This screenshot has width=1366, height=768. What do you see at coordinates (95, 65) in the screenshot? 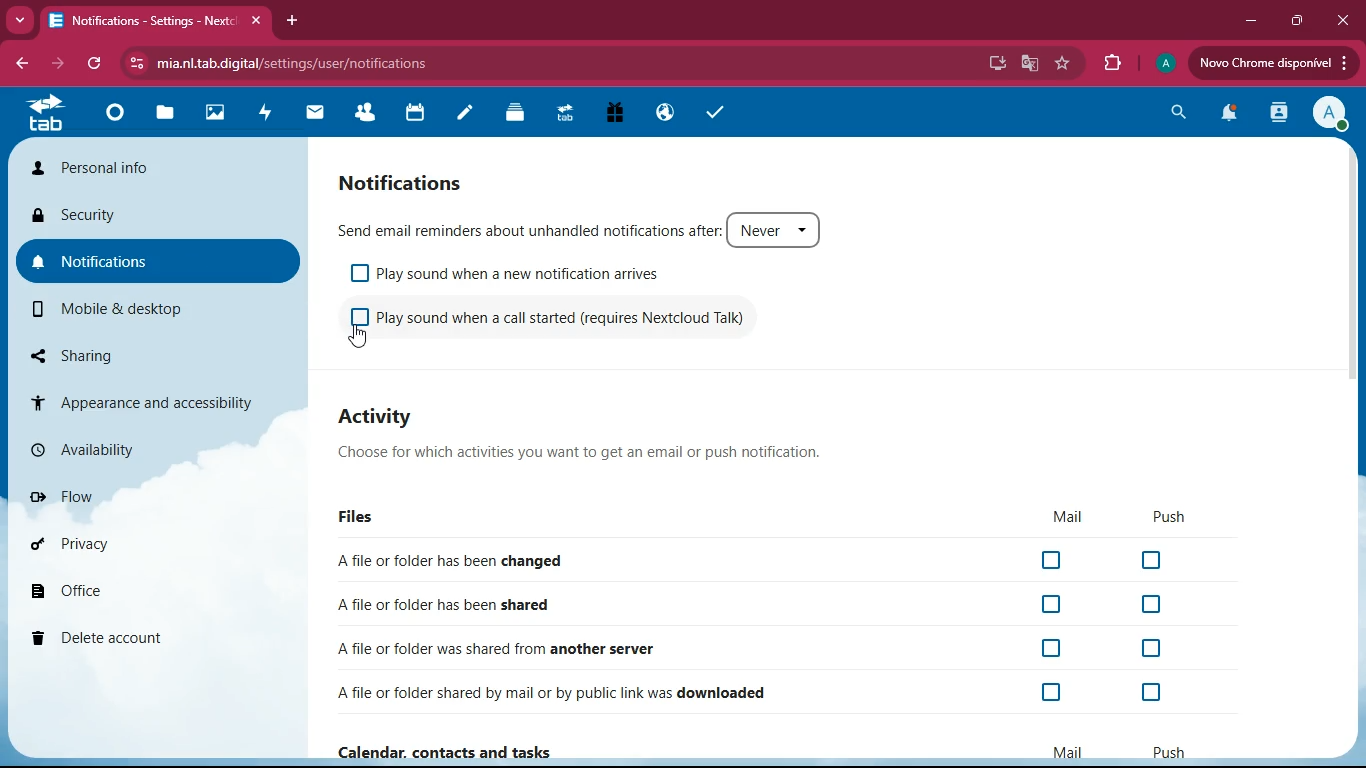
I see `refresh` at bounding box center [95, 65].